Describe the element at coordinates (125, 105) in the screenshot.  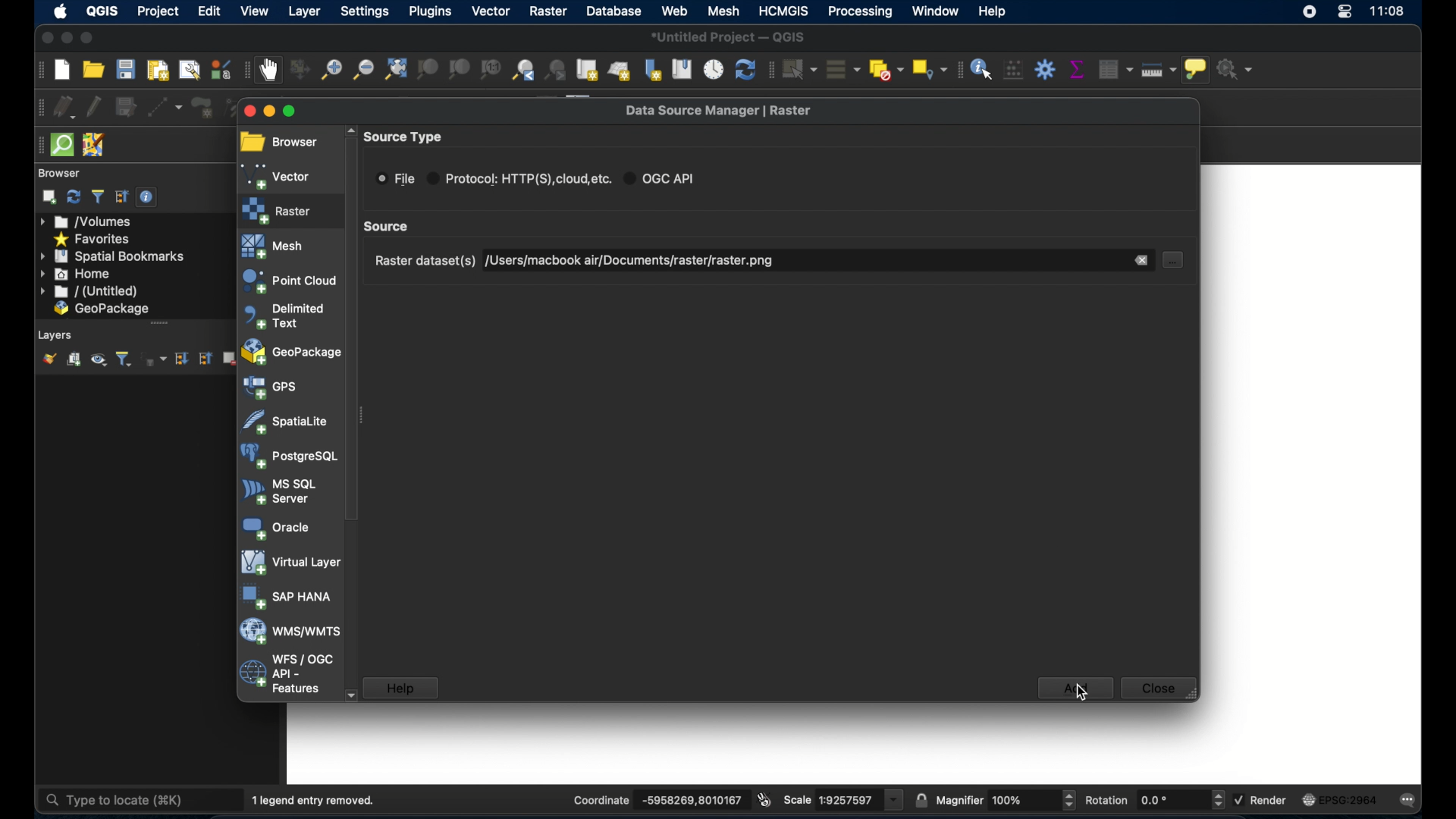
I see `save layer edits` at that location.